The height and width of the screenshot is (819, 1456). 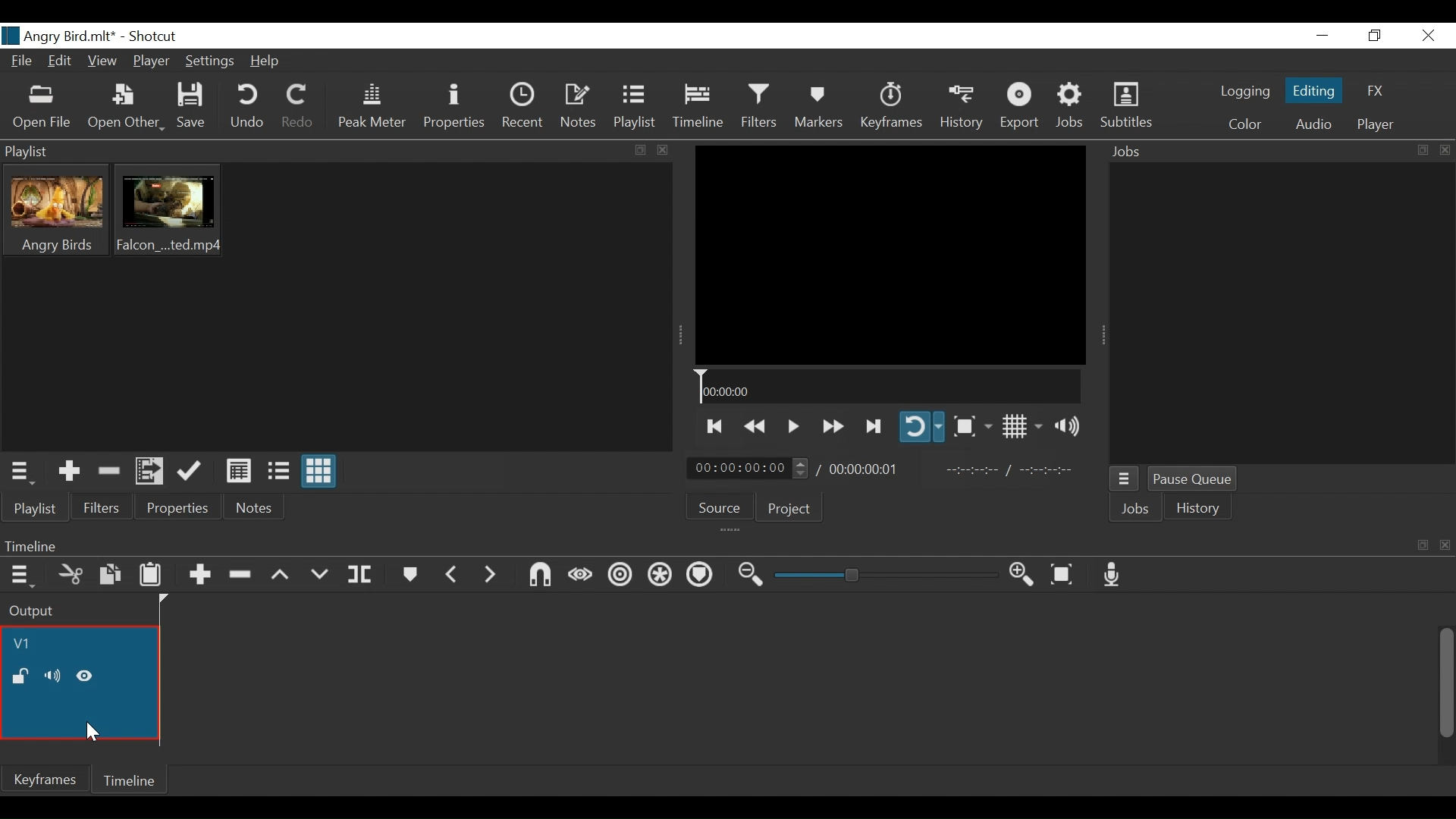 I want to click on Clip, so click(x=169, y=212).